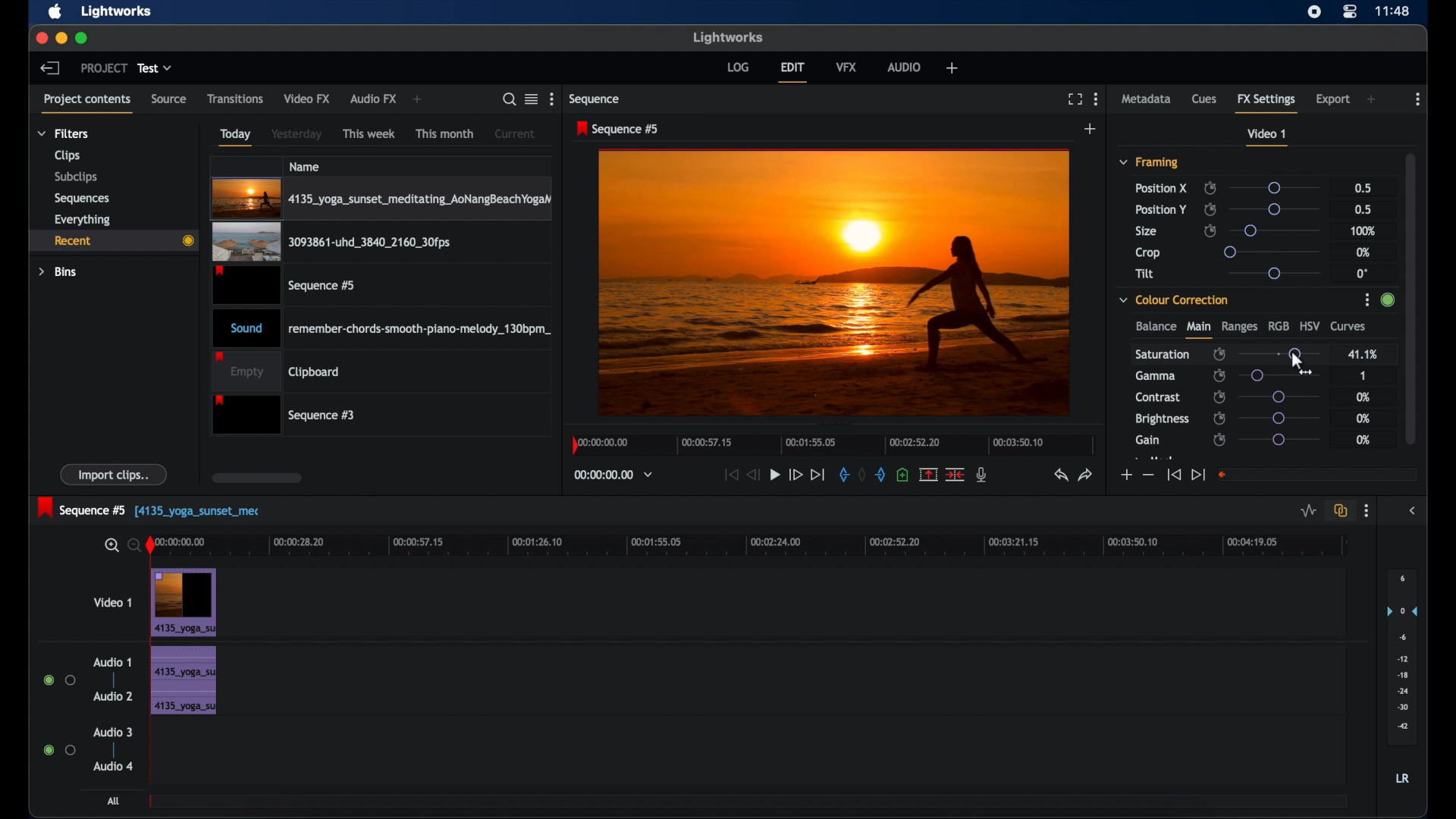  Describe the element at coordinates (1274, 230) in the screenshot. I see `slider` at that location.